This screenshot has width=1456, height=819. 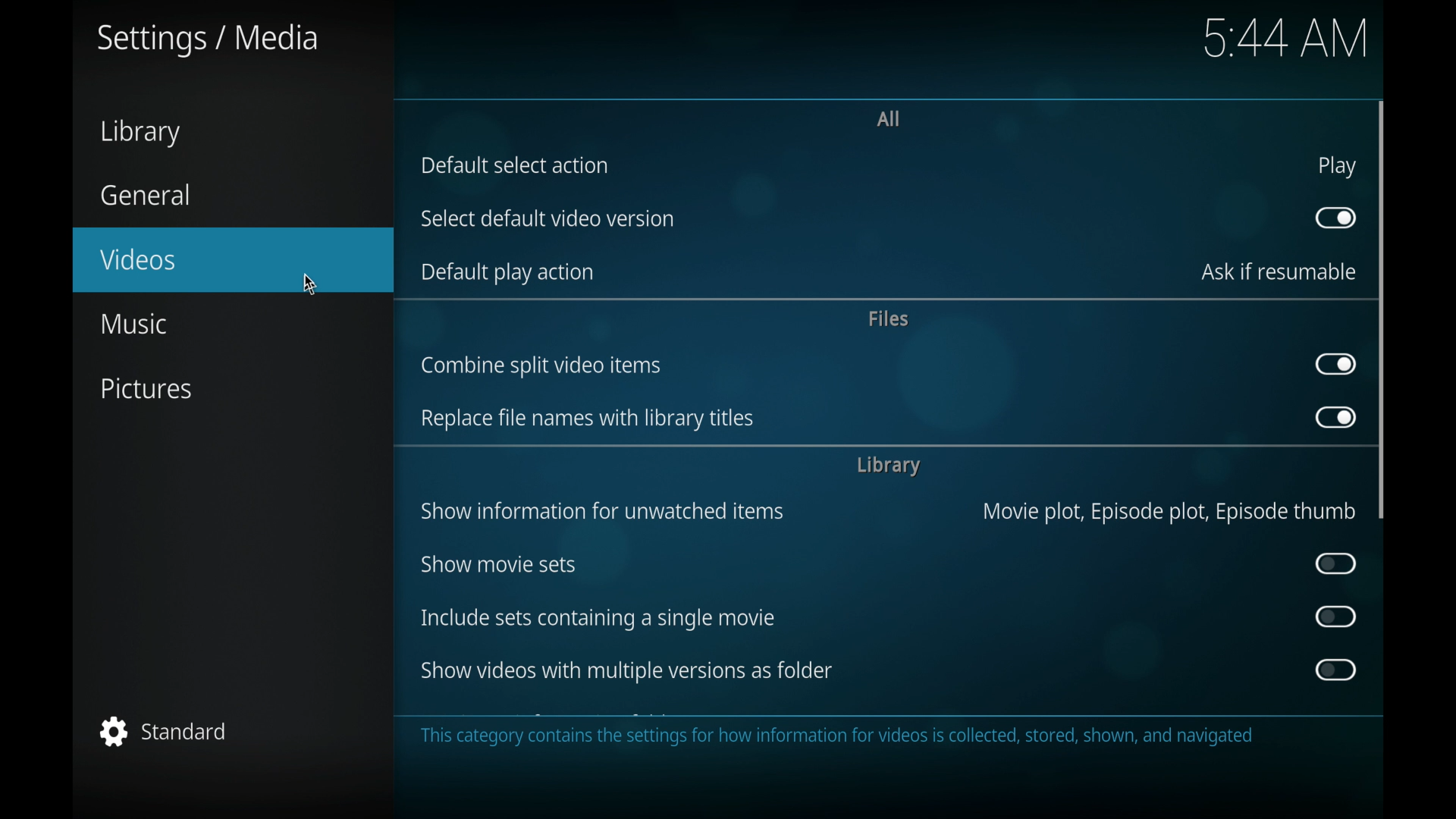 I want to click on scroll box, so click(x=1382, y=309).